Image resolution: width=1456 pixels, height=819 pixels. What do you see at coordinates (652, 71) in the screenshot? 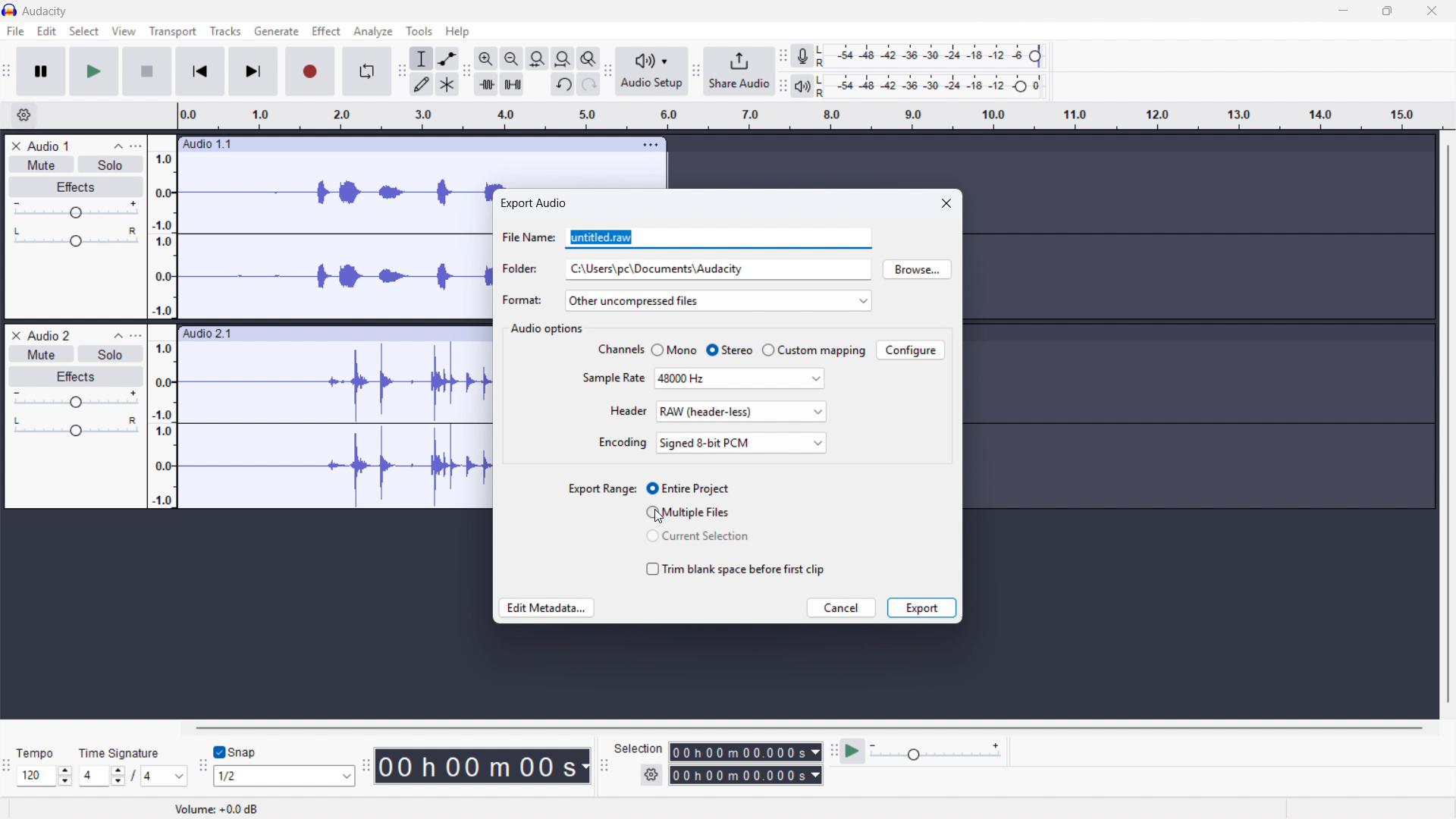
I see `Audio setup` at bounding box center [652, 71].